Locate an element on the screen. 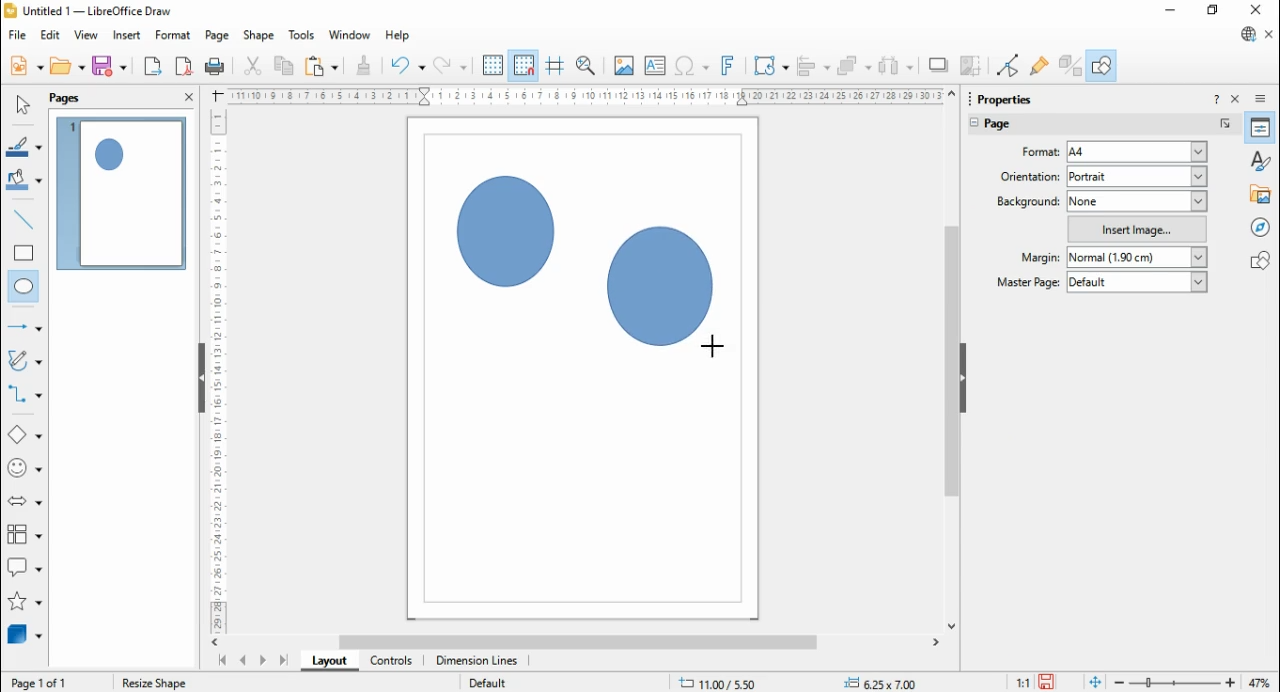  zoom slider is located at coordinates (1175, 683).